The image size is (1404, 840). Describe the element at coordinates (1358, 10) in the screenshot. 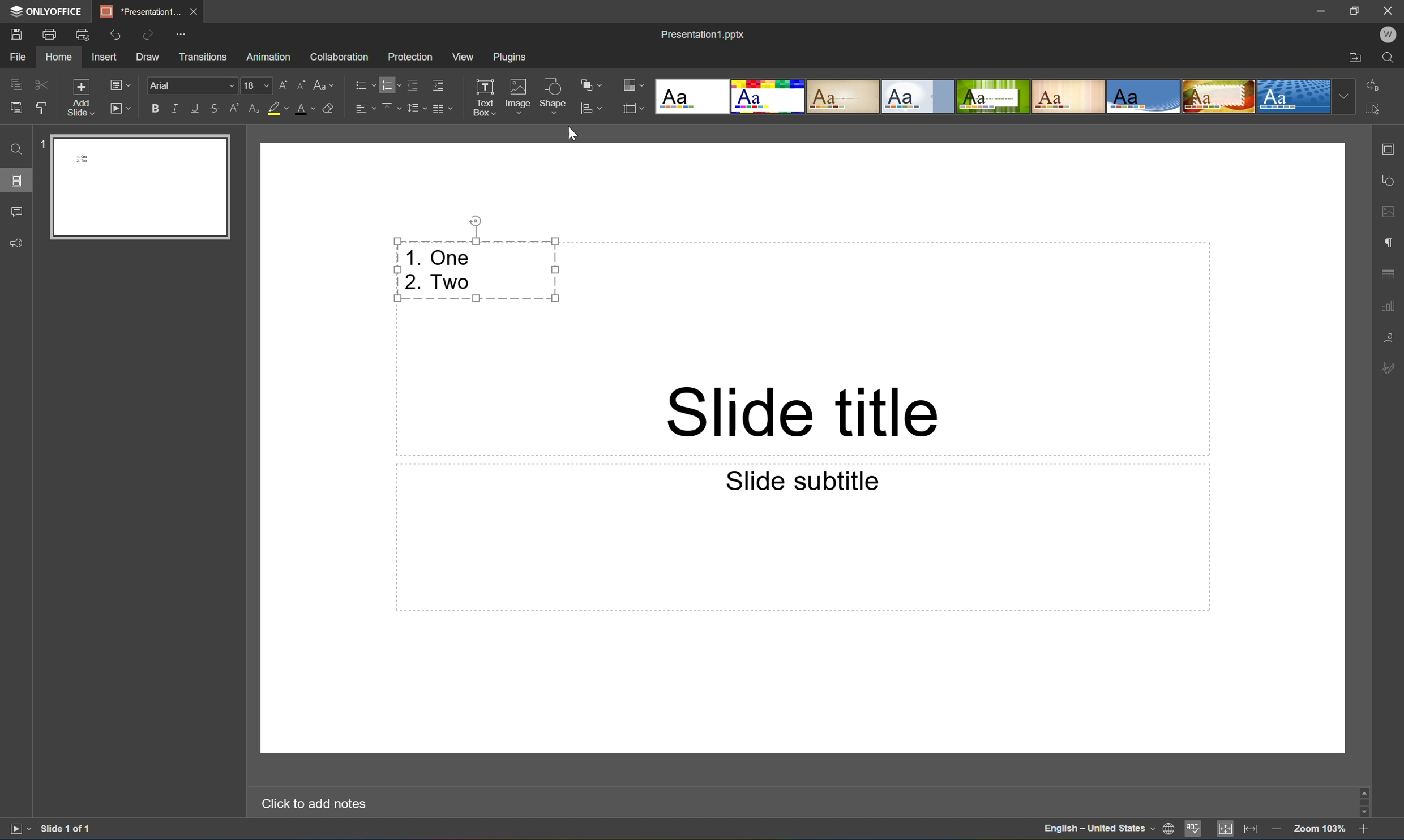

I see `Restore down` at that location.